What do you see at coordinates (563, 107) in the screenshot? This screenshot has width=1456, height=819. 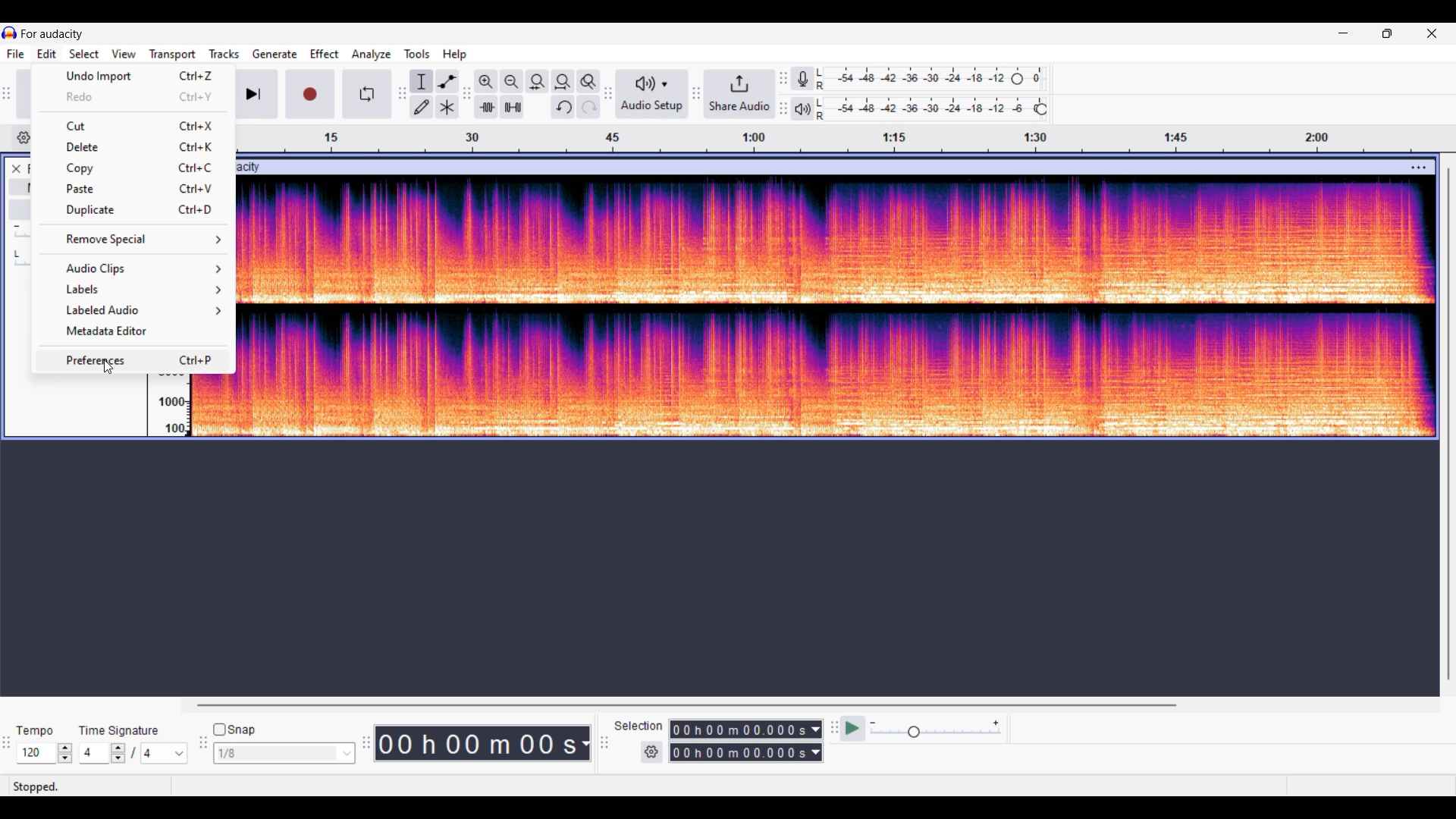 I see `Undo` at bounding box center [563, 107].